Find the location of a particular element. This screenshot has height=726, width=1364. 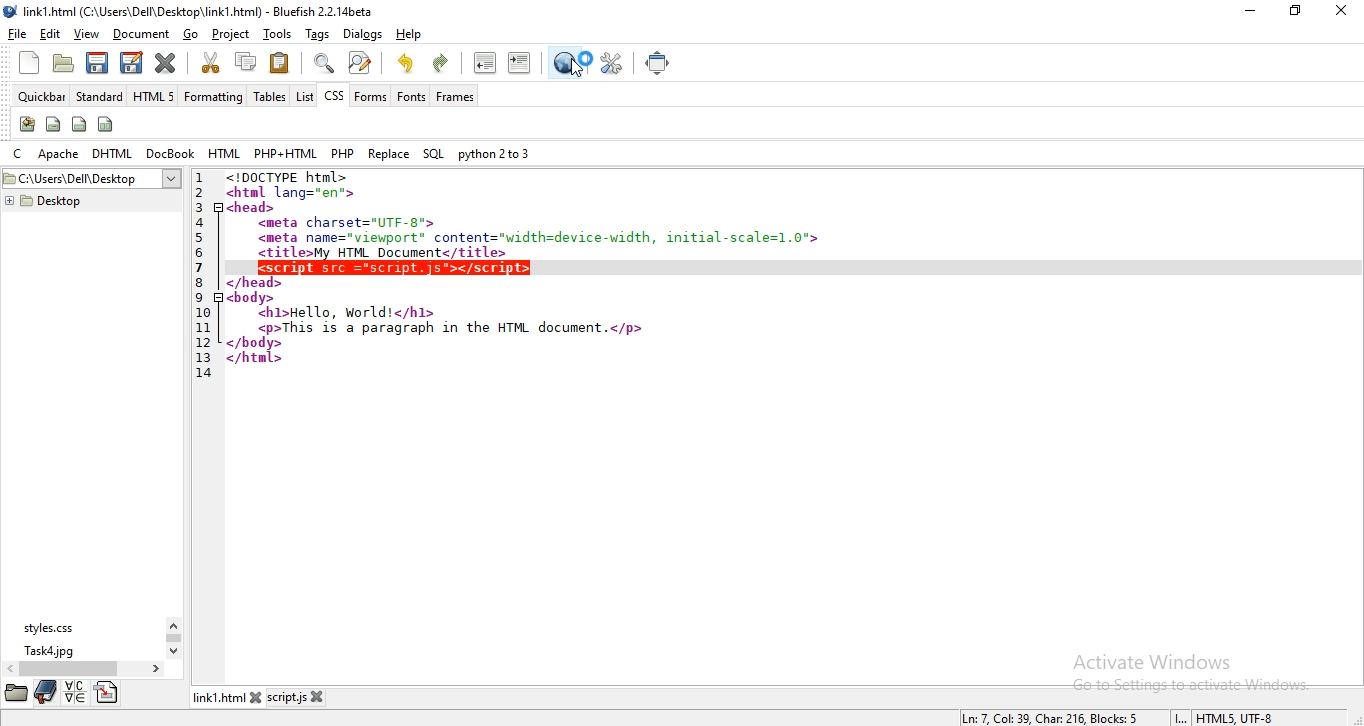

formatting is located at coordinates (214, 96).